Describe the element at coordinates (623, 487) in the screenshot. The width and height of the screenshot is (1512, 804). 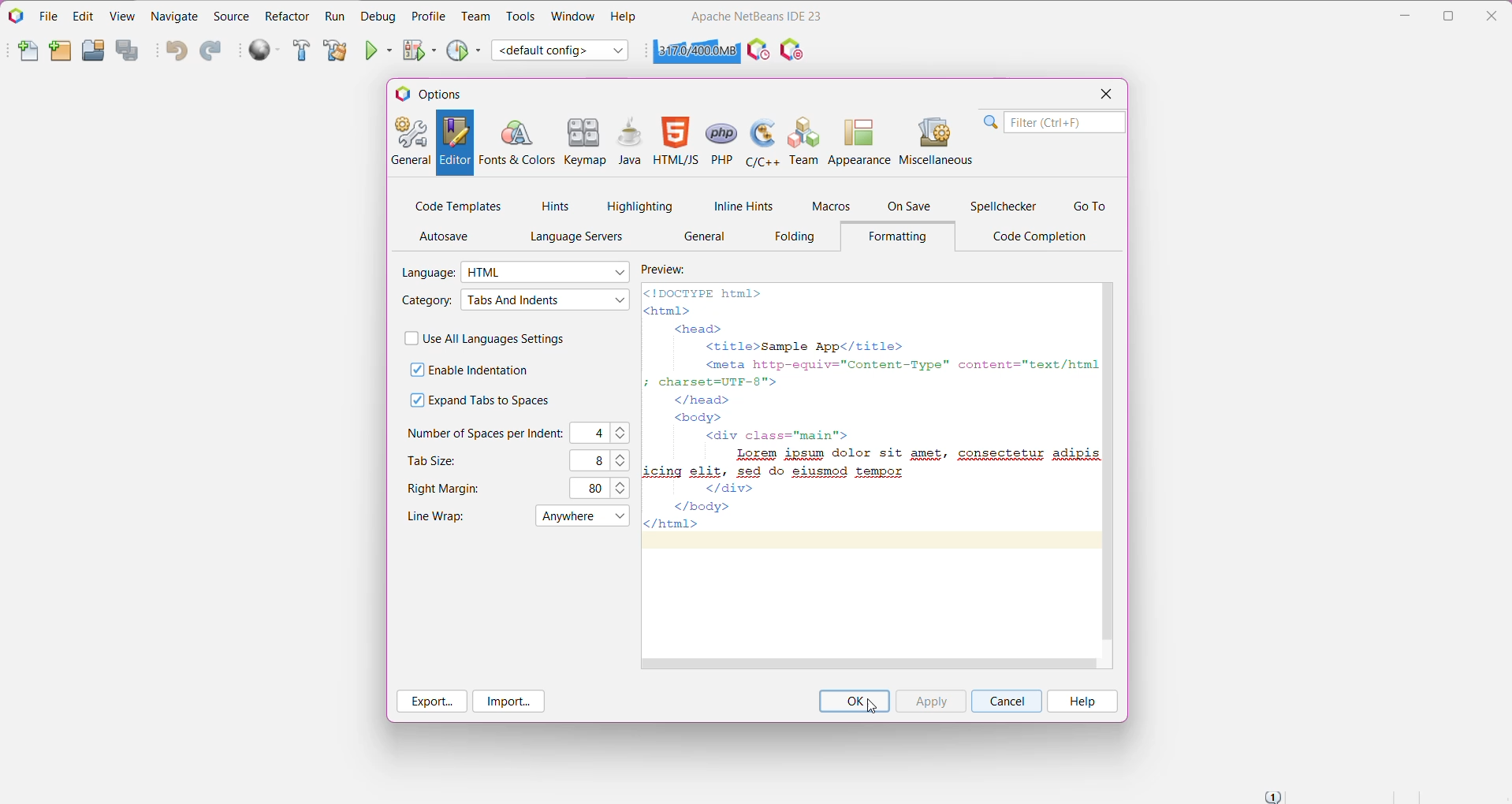
I see `Set the right margins` at that location.